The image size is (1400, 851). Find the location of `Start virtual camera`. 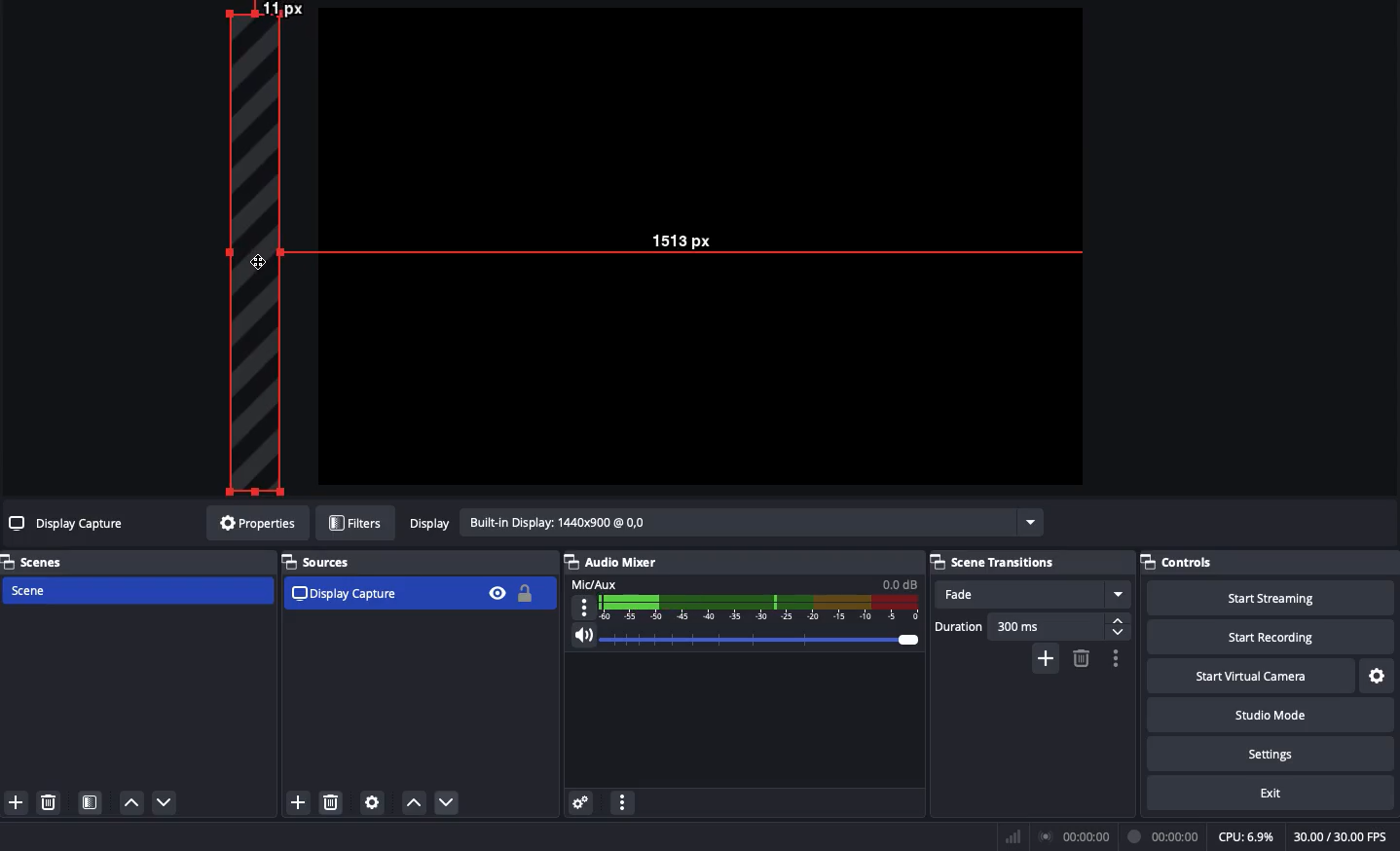

Start virtual camera is located at coordinates (1253, 674).